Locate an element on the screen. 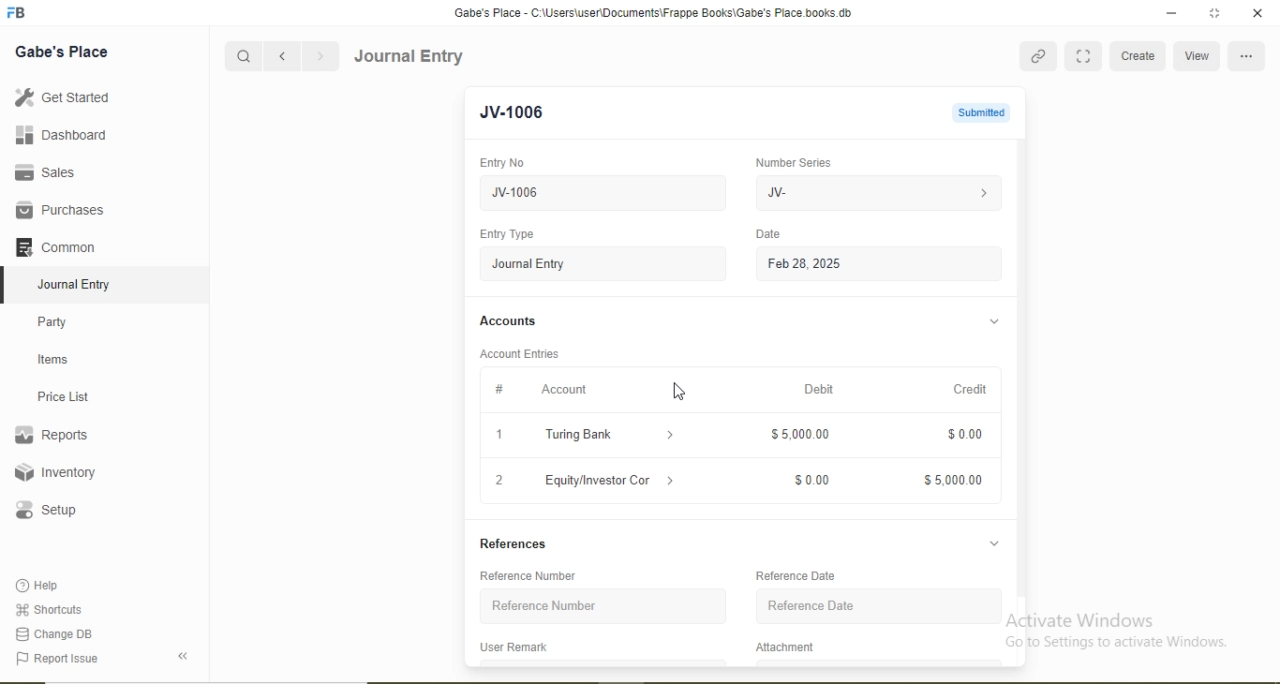 The width and height of the screenshot is (1280, 684). Accounts is located at coordinates (508, 320).